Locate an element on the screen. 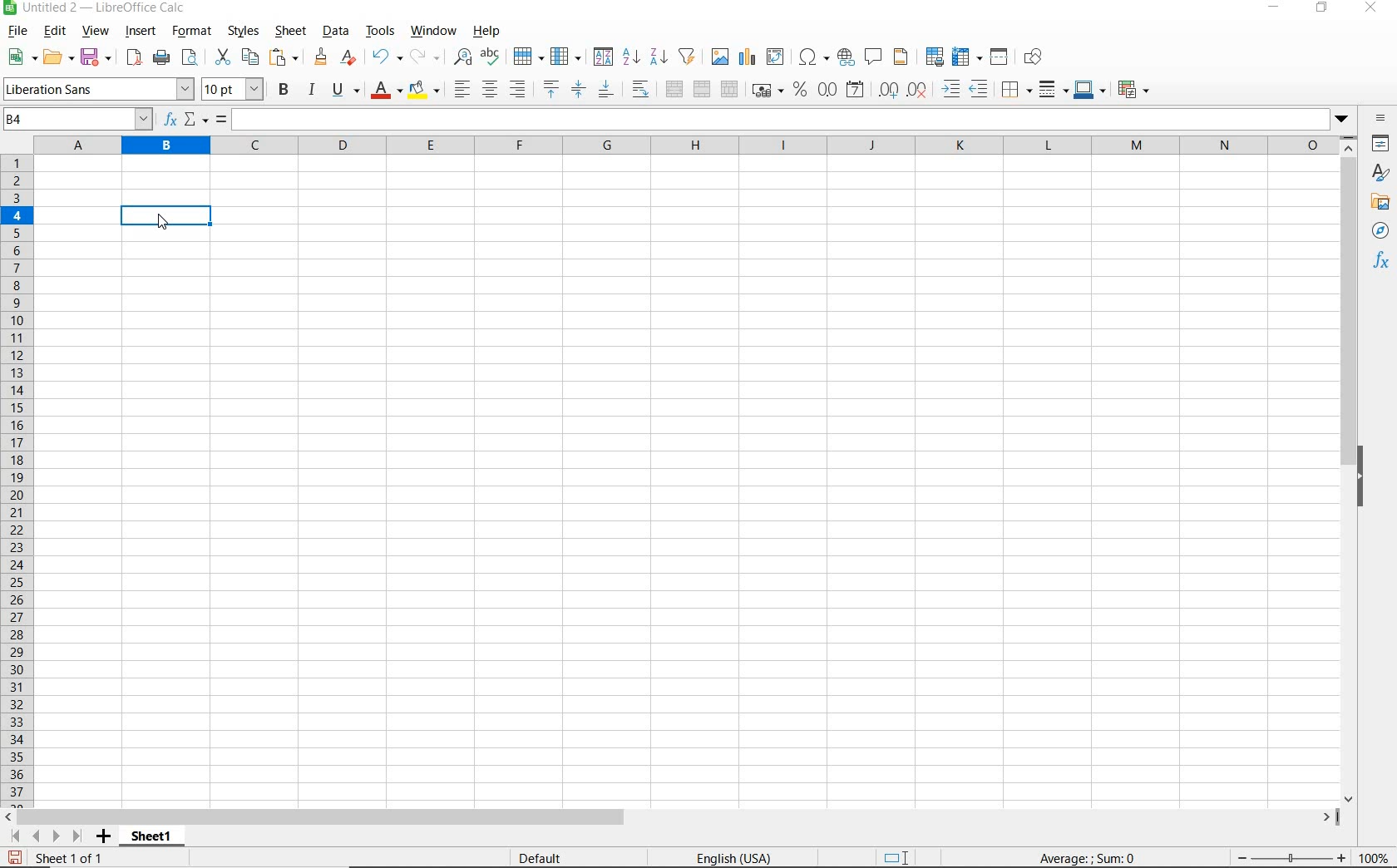  data is located at coordinates (336, 33).